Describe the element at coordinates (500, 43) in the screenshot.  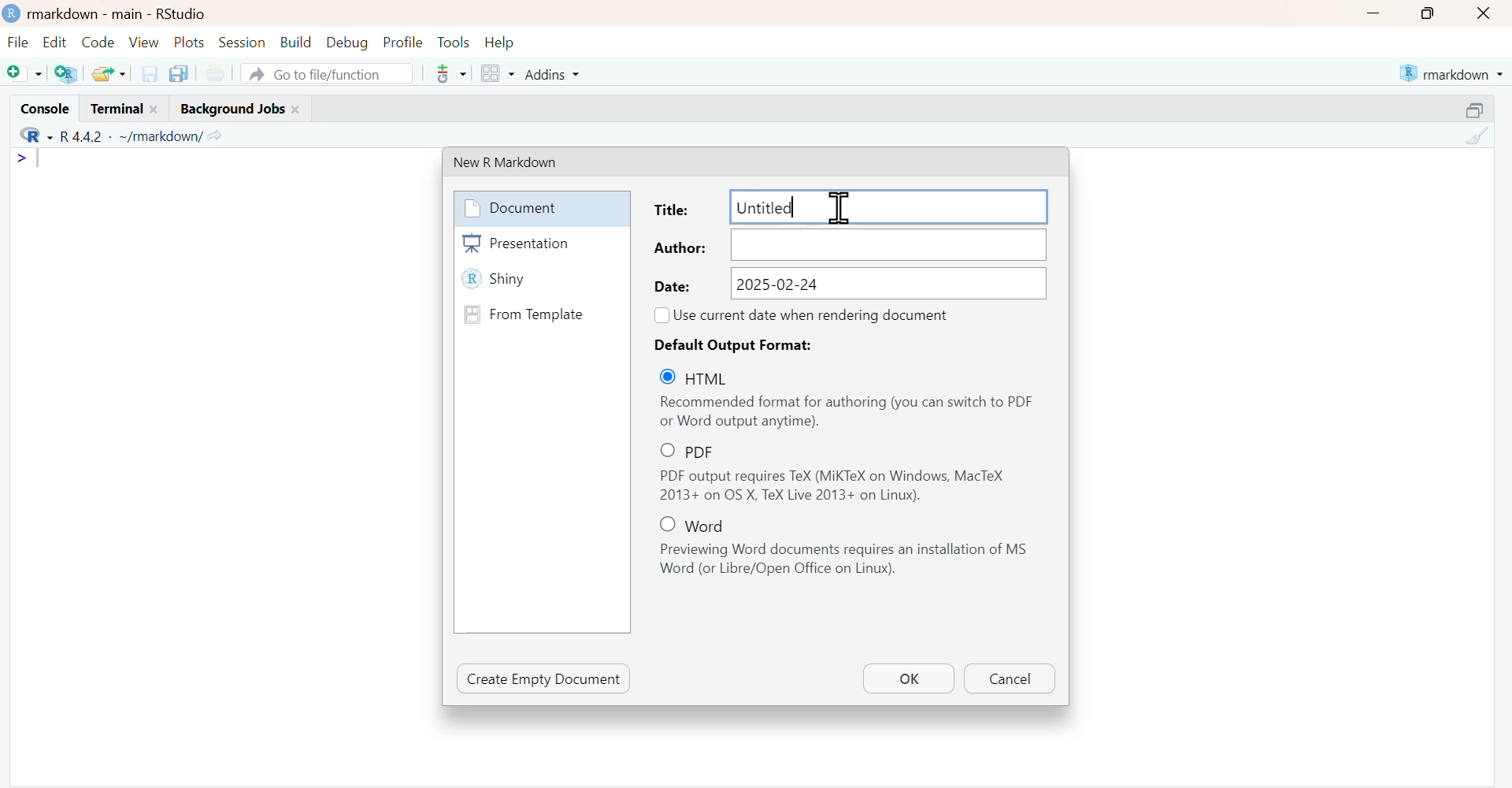
I see `Help` at that location.